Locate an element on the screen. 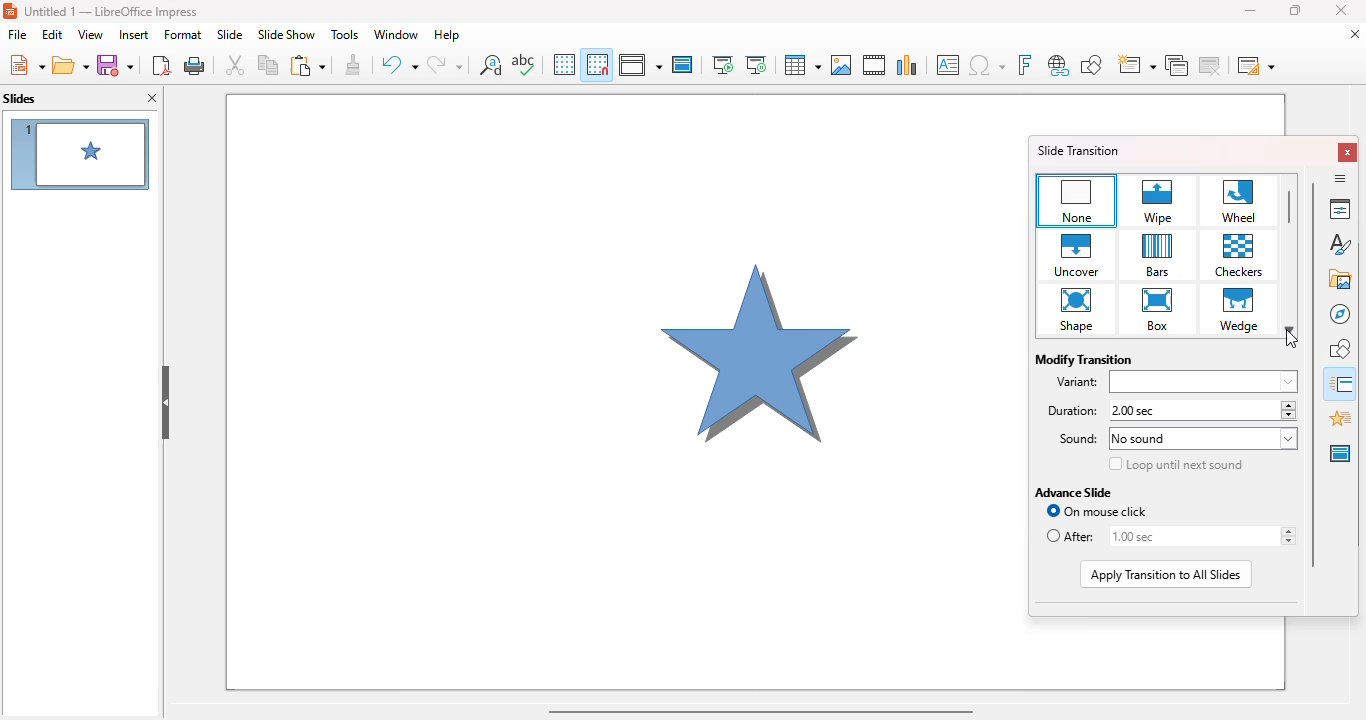  paste is located at coordinates (307, 65).